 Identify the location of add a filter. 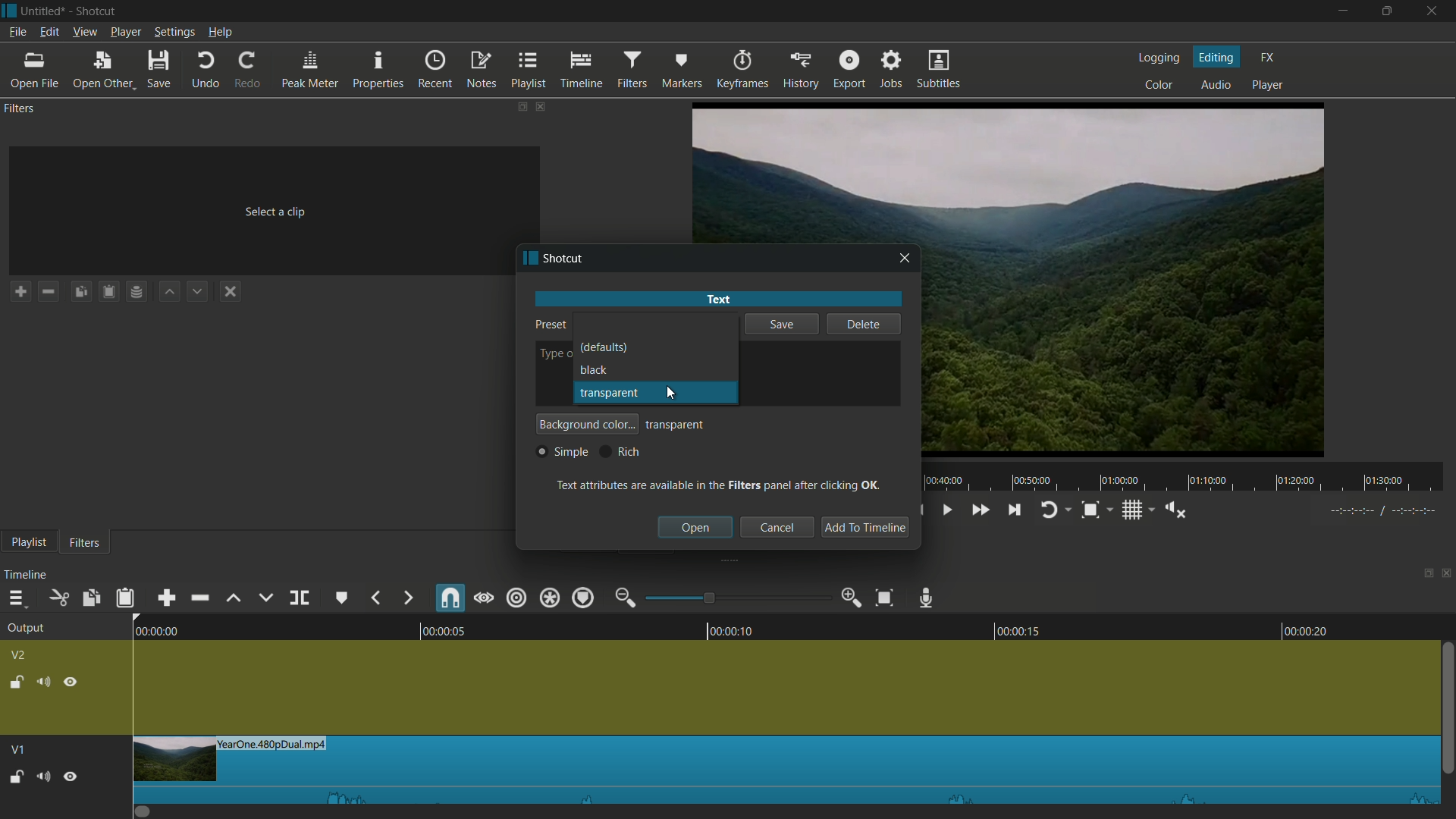
(20, 291).